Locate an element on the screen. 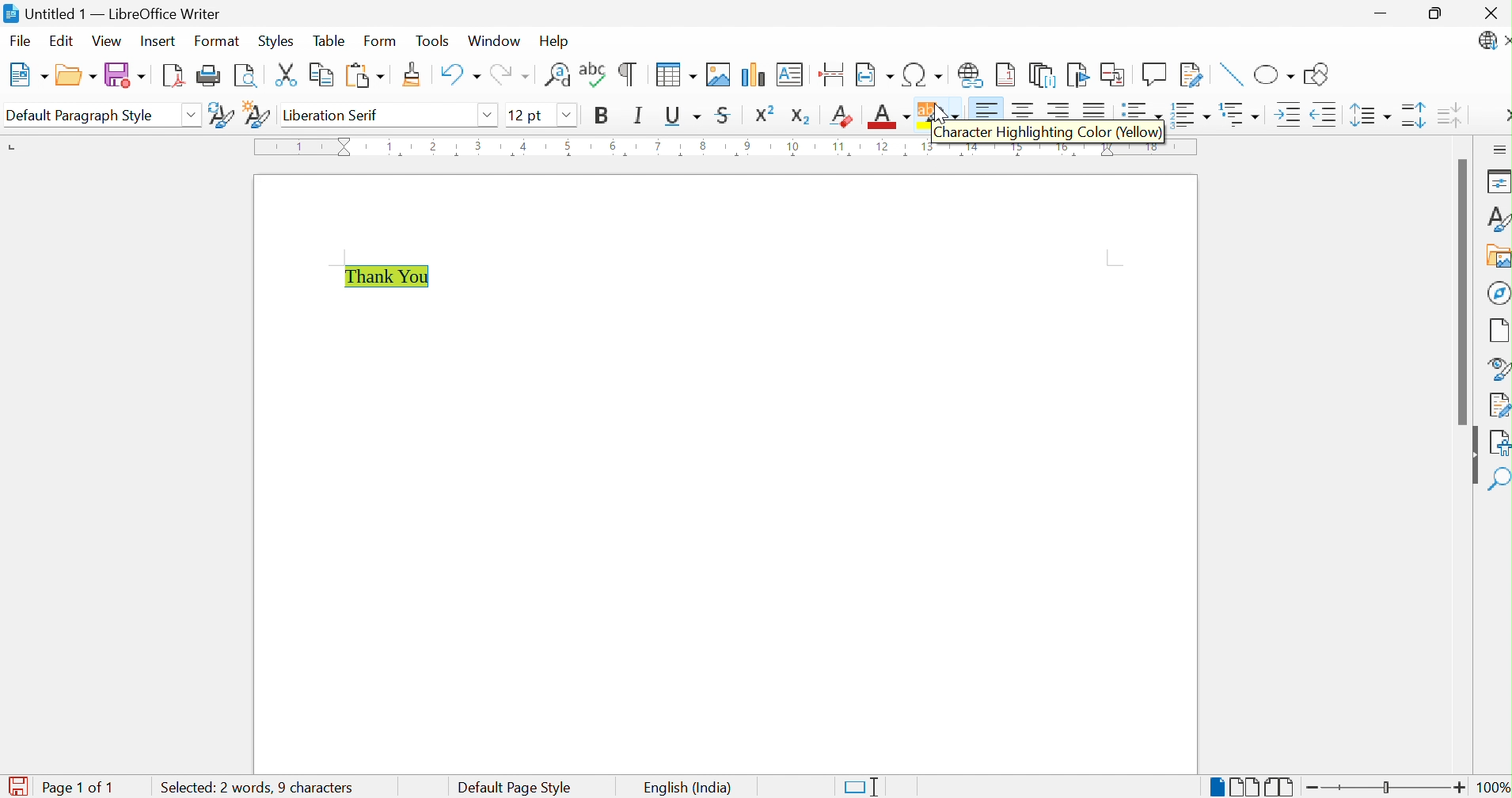 The width and height of the screenshot is (1512, 798). Styles is located at coordinates (275, 40).